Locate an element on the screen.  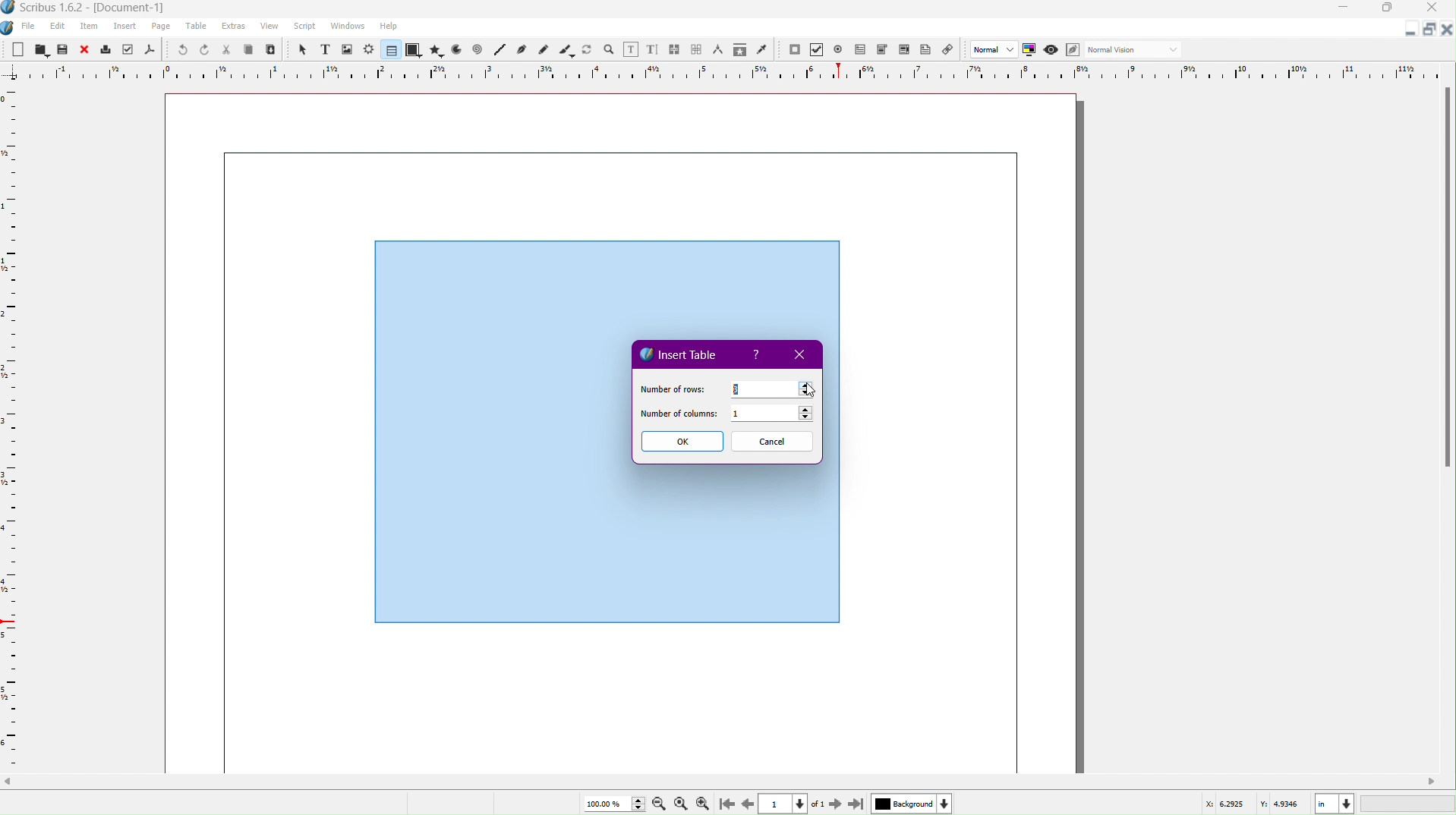
Window Name is located at coordinates (92, 8).